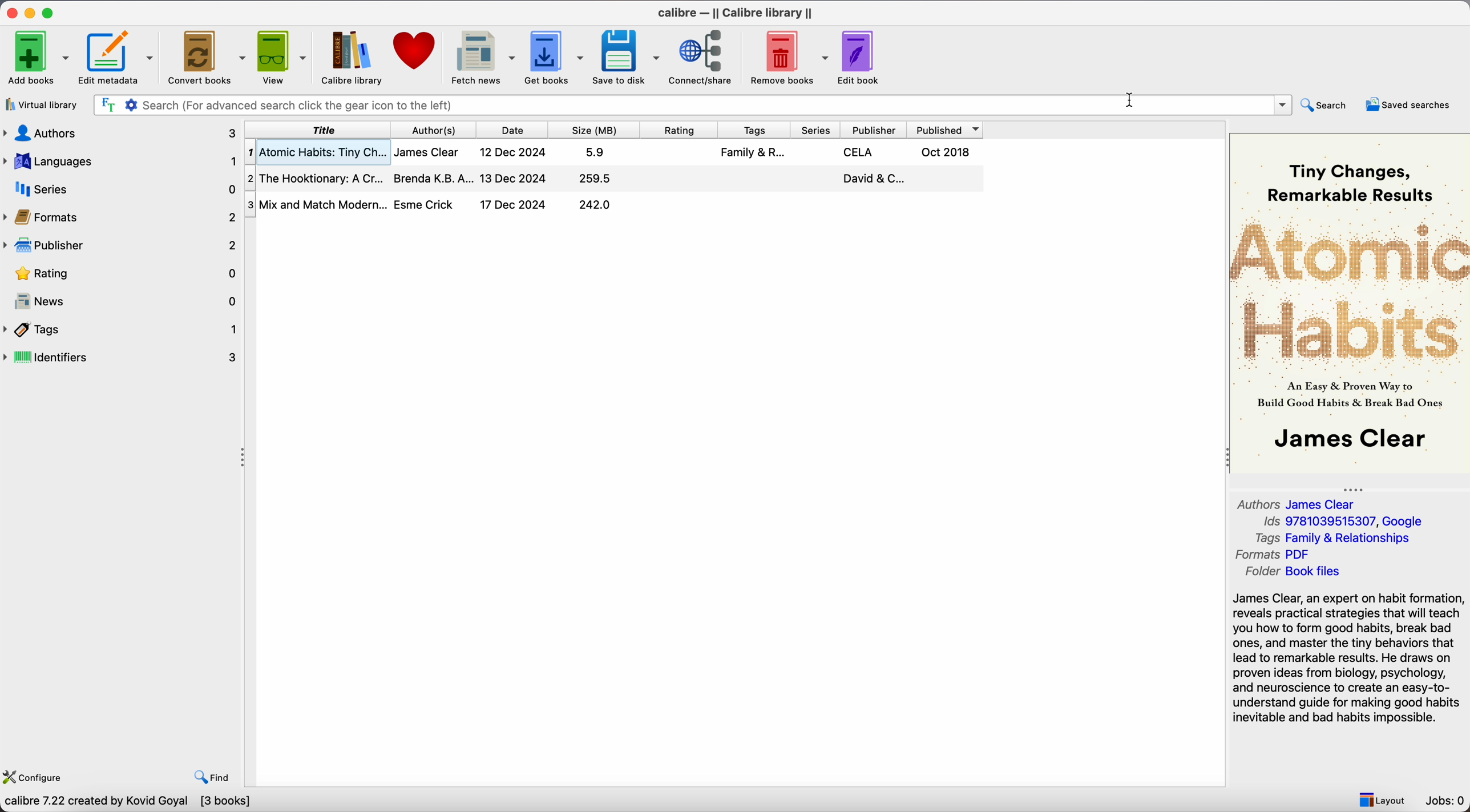  What do you see at coordinates (596, 152) in the screenshot?
I see `5.9` at bounding box center [596, 152].